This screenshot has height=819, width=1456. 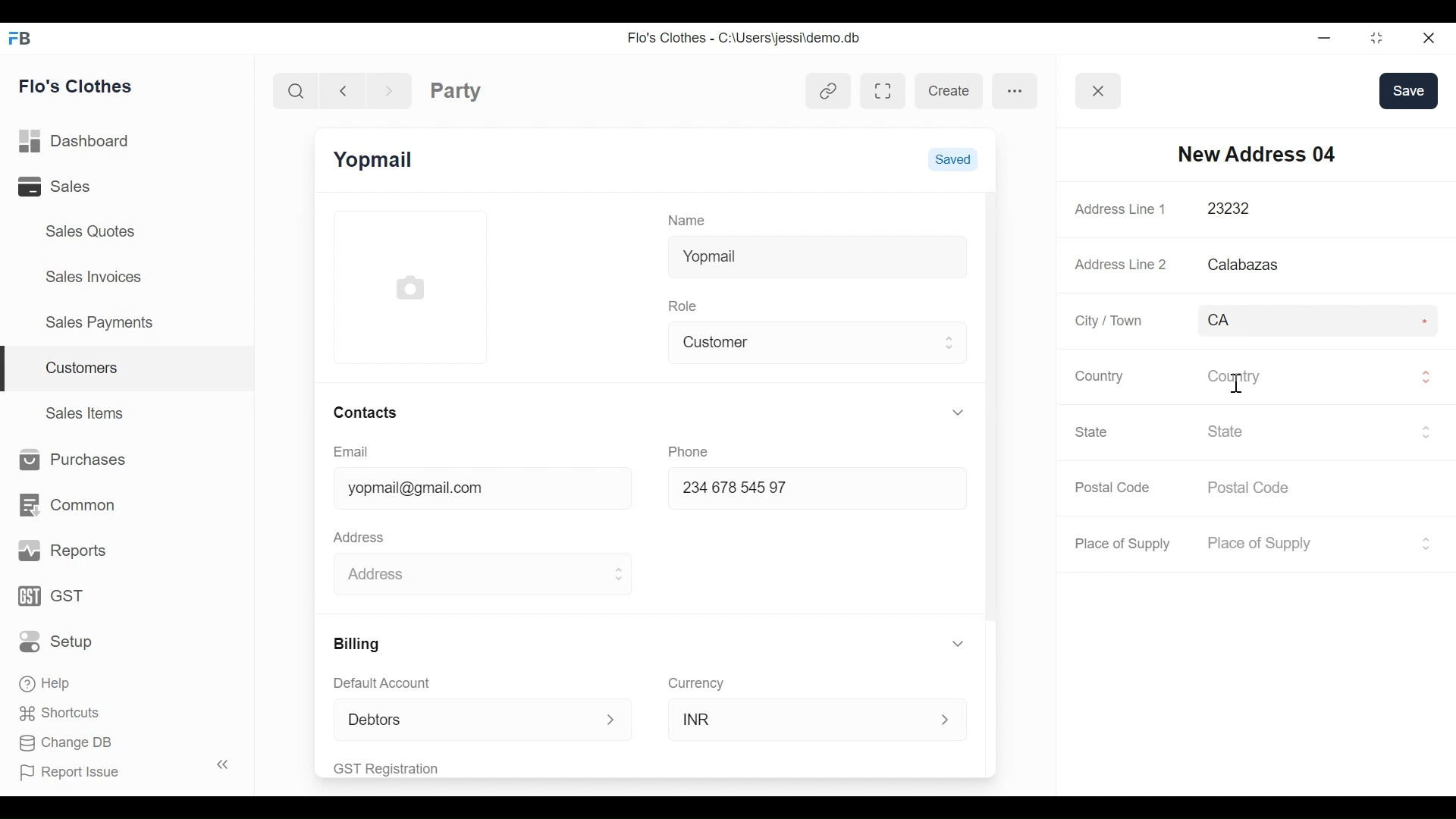 What do you see at coordinates (86, 411) in the screenshot?
I see `Sales Items` at bounding box center [86, 411].